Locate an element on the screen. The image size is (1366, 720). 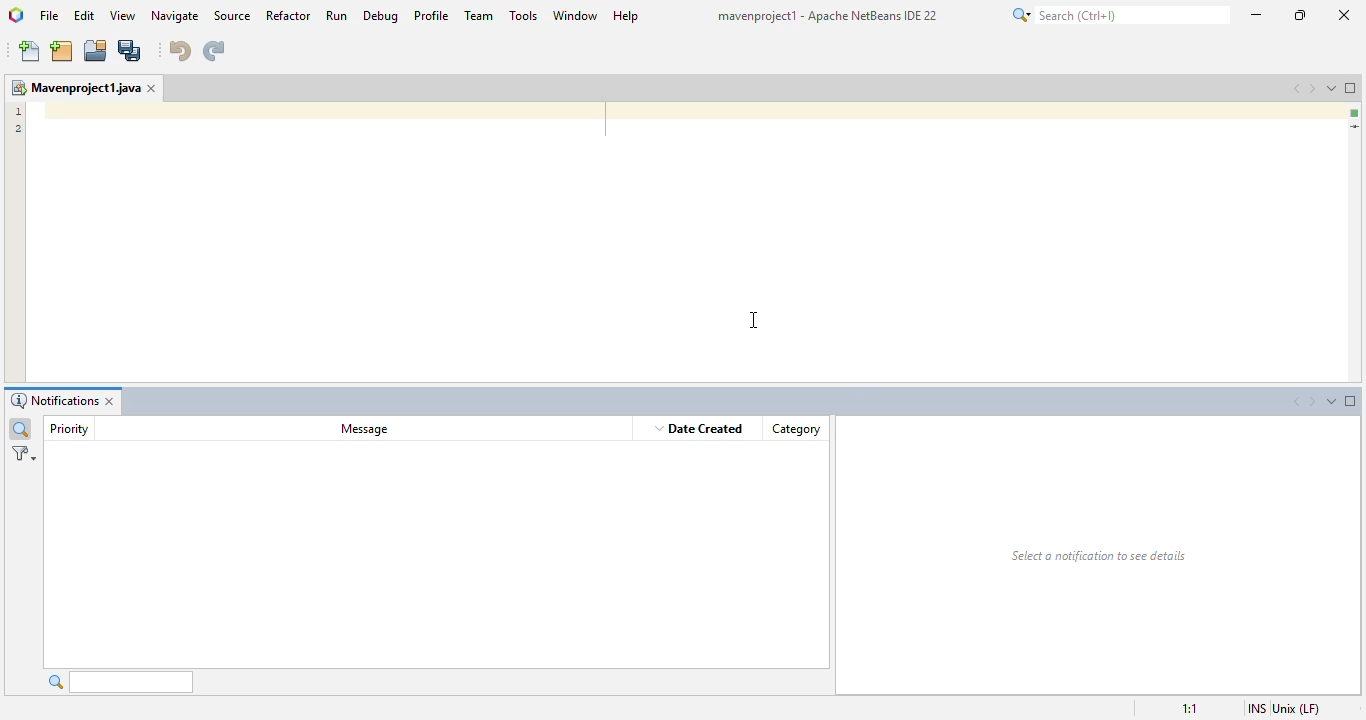
scroll documents right is located at coordinates (1315, 88).